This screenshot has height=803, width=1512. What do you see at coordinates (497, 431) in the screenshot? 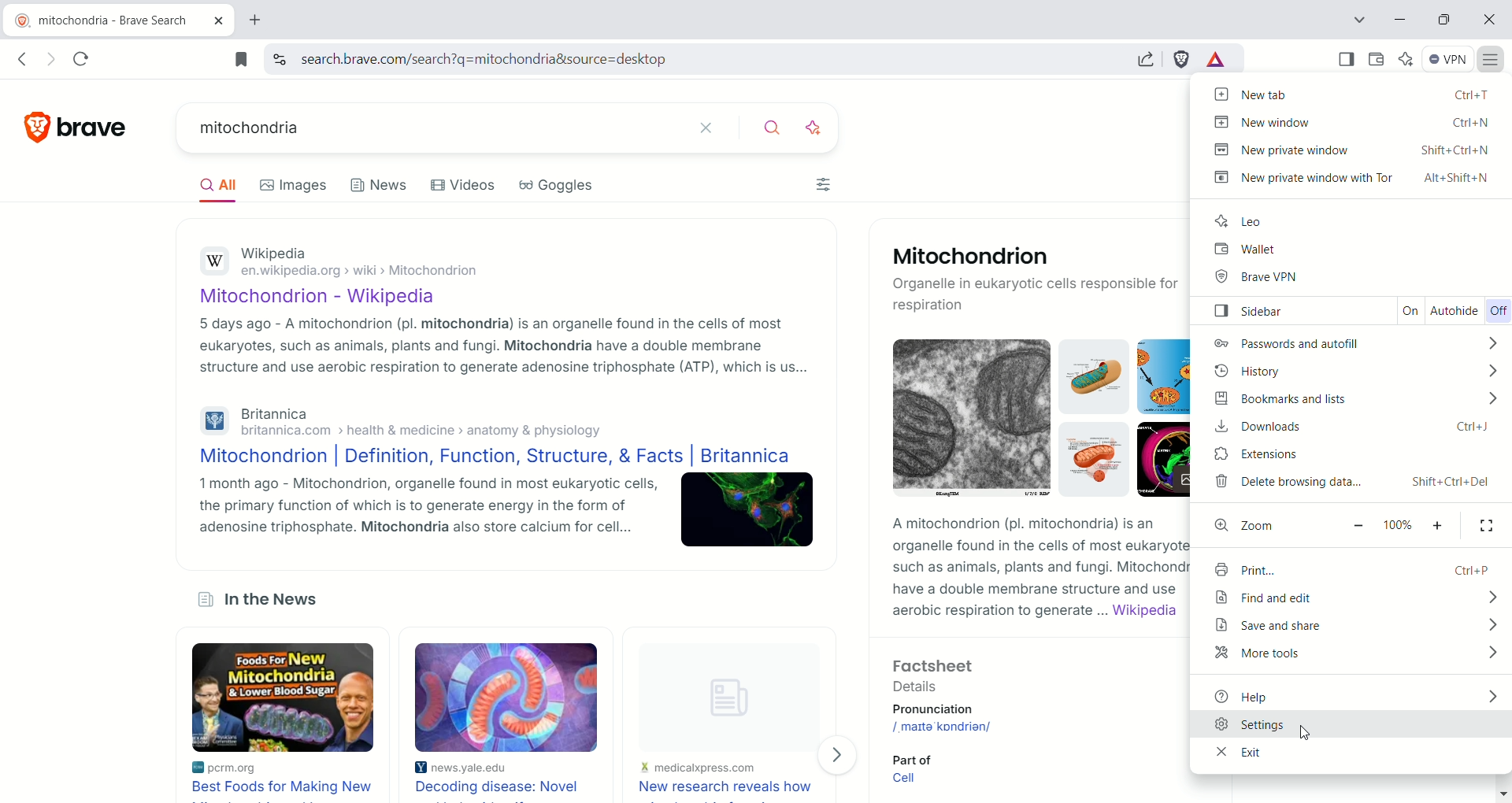
I see `Britannica britannica.com > health & medicine > anatomy & physiology Mitochondrion | Definition, Function, Structure, & Facts | Britannica` at bounding box center [497, 431].